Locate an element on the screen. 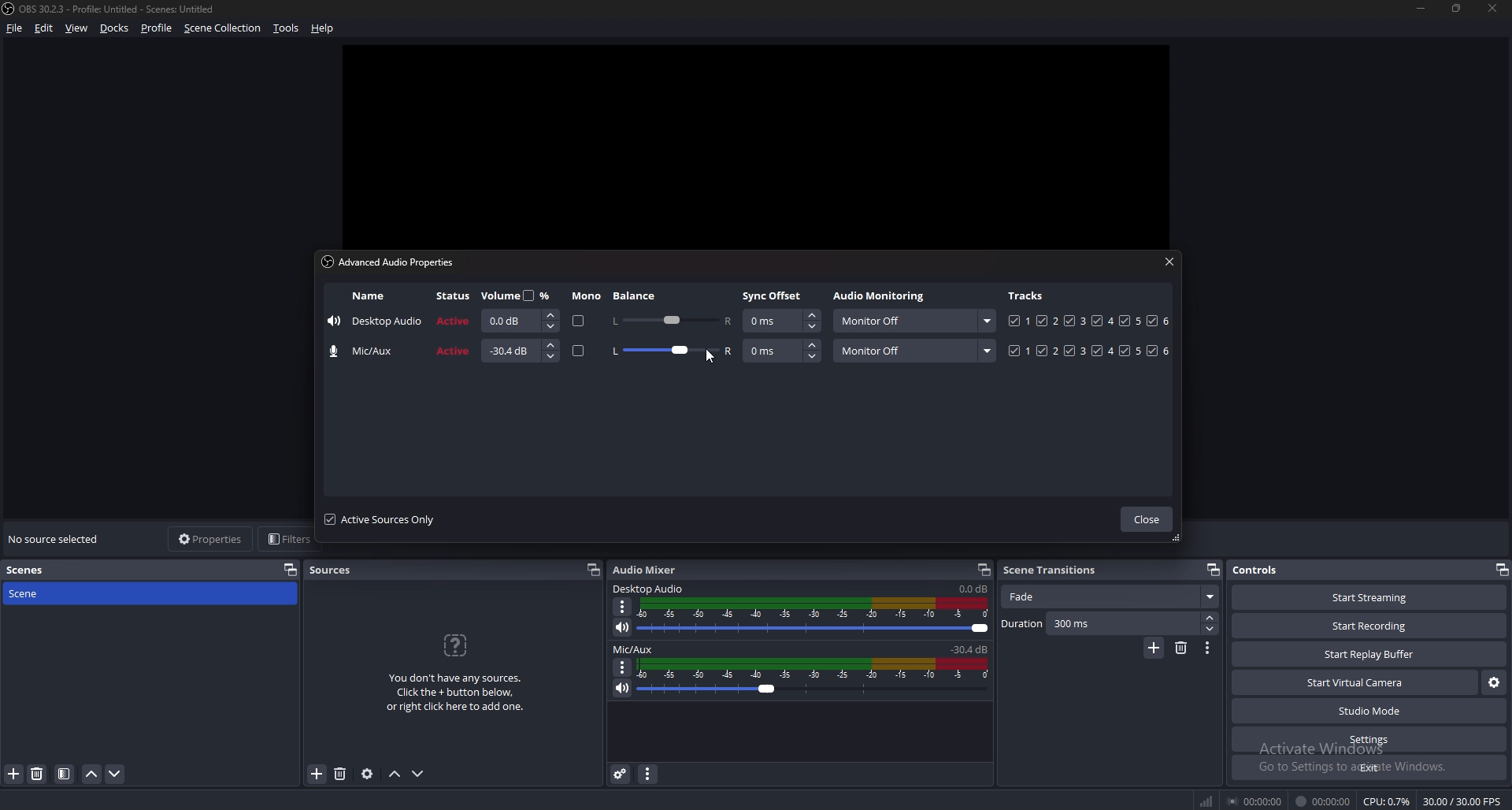 This screenshot has height=810, width=1512. options is located at coordinates (623, 607).